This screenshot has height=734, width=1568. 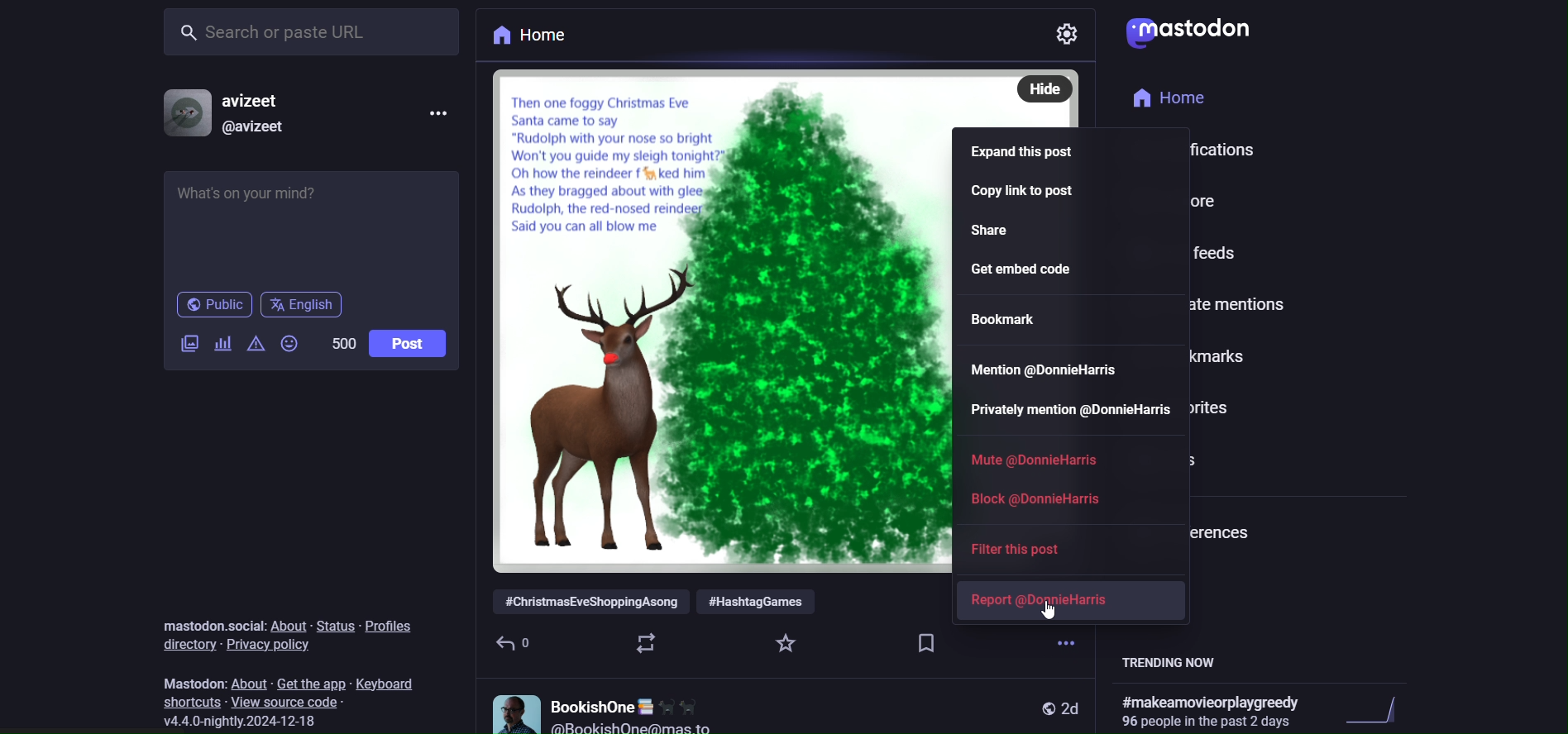 I want to click on profile picture, so click(x=182, y=113).